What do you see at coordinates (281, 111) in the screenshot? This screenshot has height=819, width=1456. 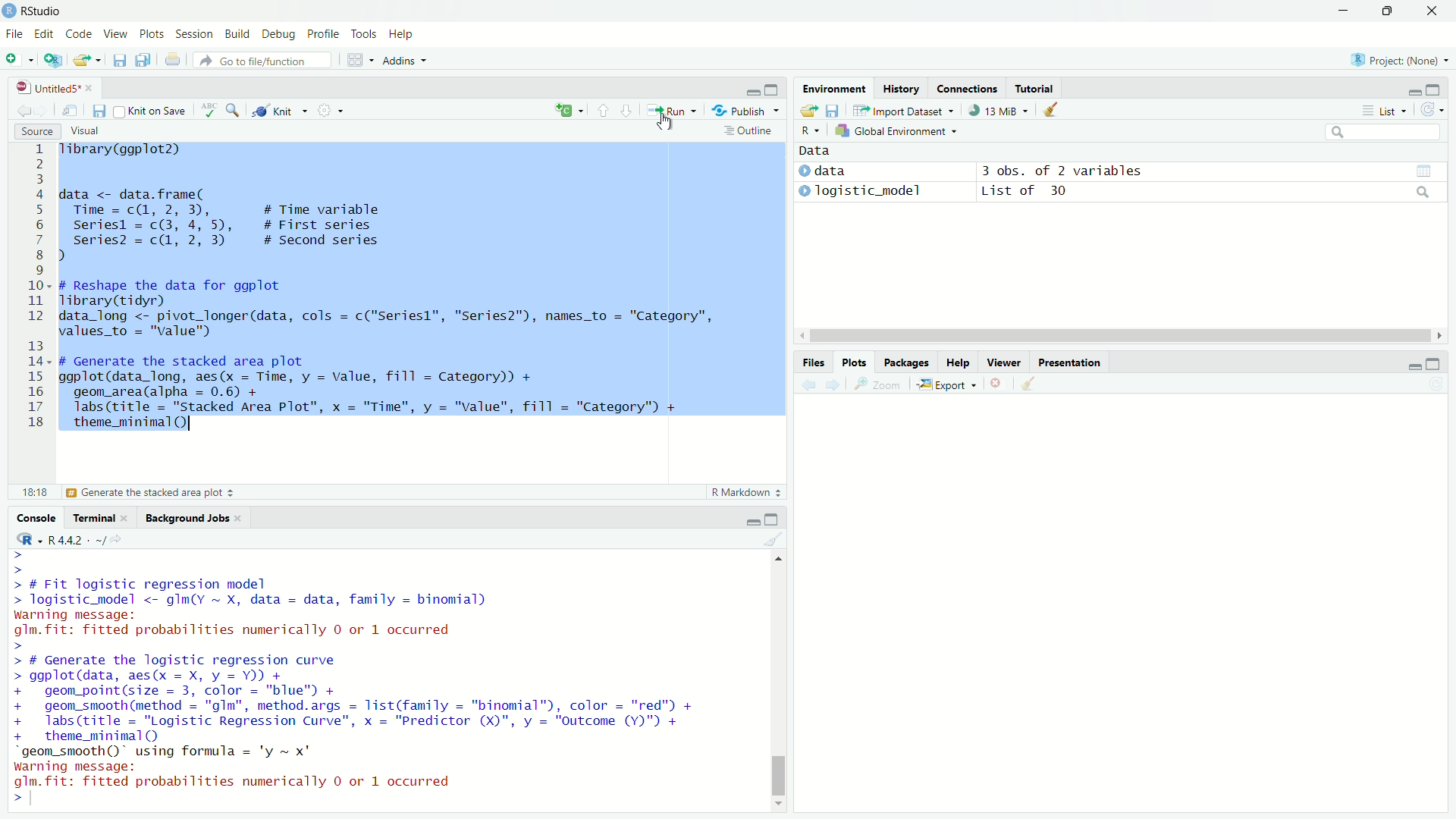 I see `Knit` at bounding box center [281, 111].